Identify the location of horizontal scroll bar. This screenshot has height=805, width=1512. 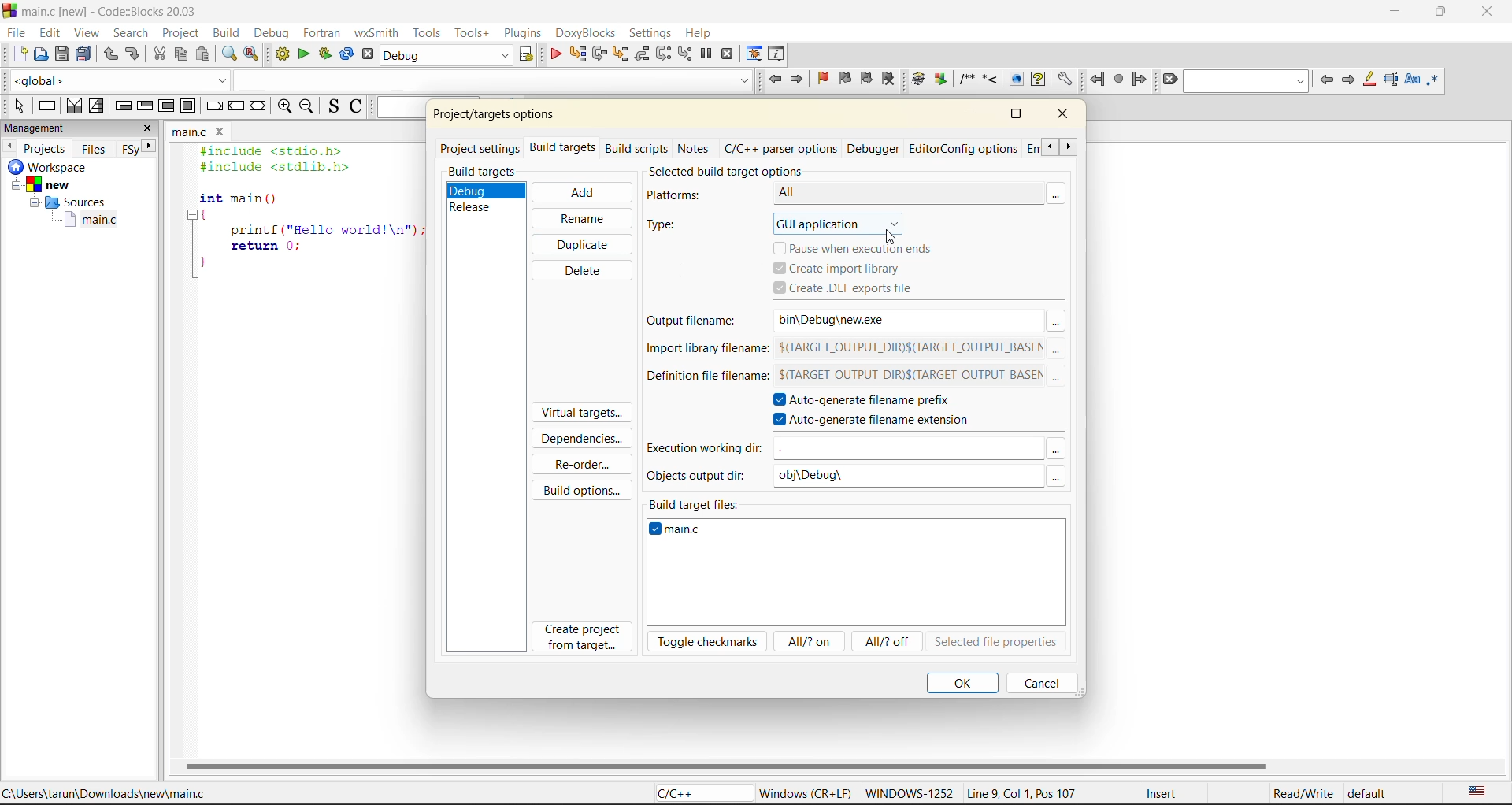
(727, 765).